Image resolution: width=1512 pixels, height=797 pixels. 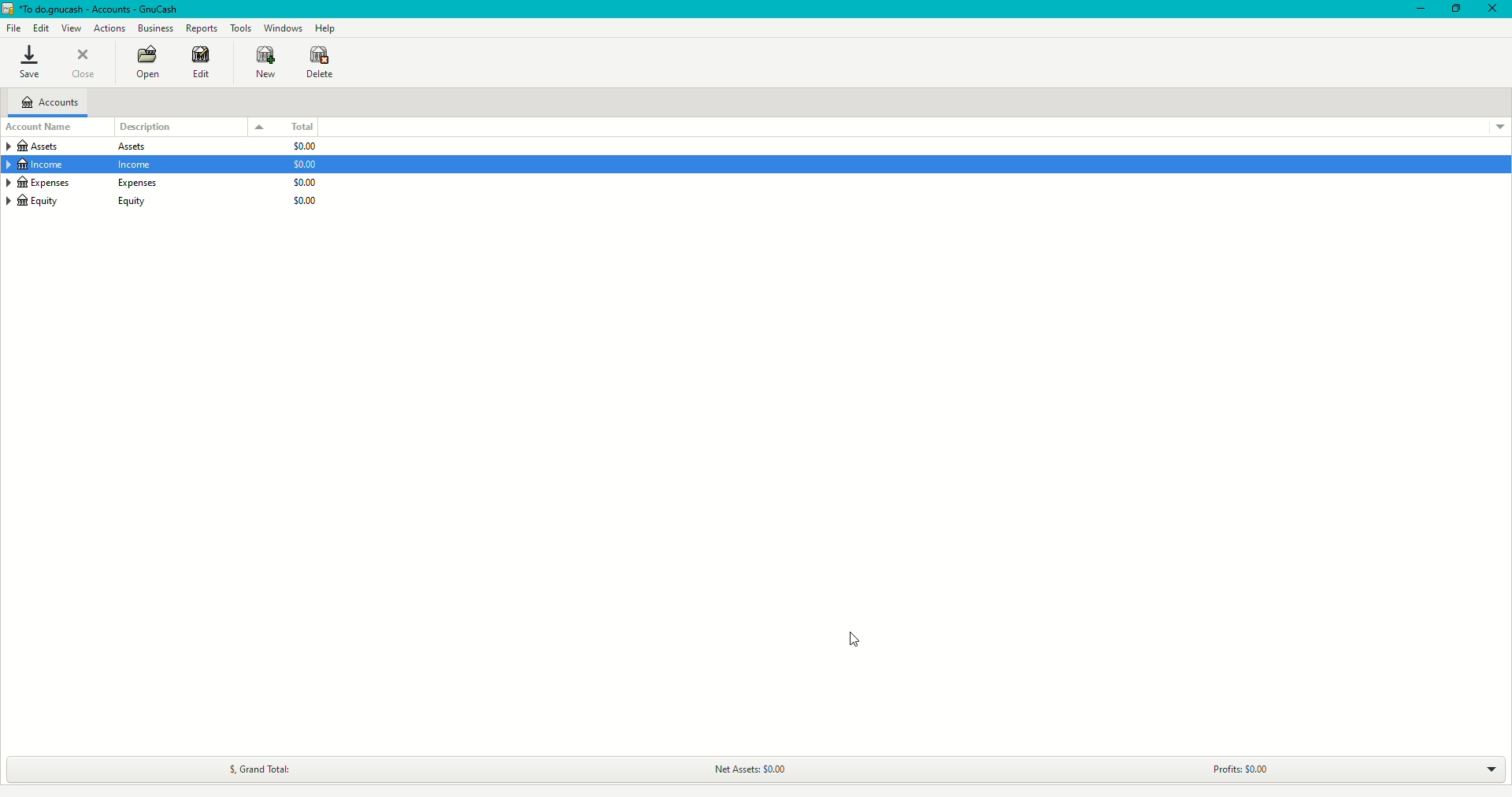 I want to click on Profits, so click(x=1238, y=769).